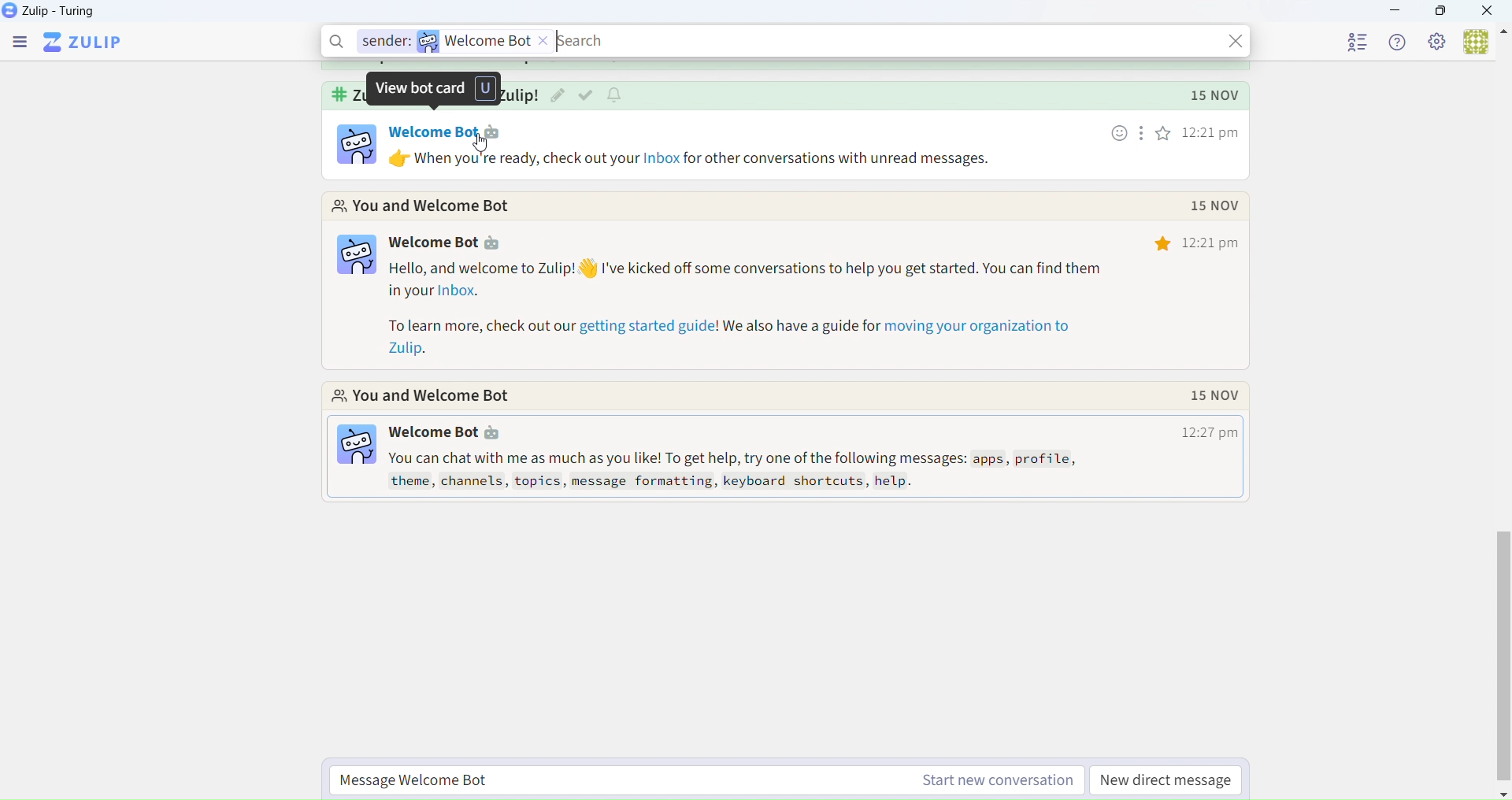 This screenshot has width=1512, height=800. I want to click on Zulip, so click(83, 45).